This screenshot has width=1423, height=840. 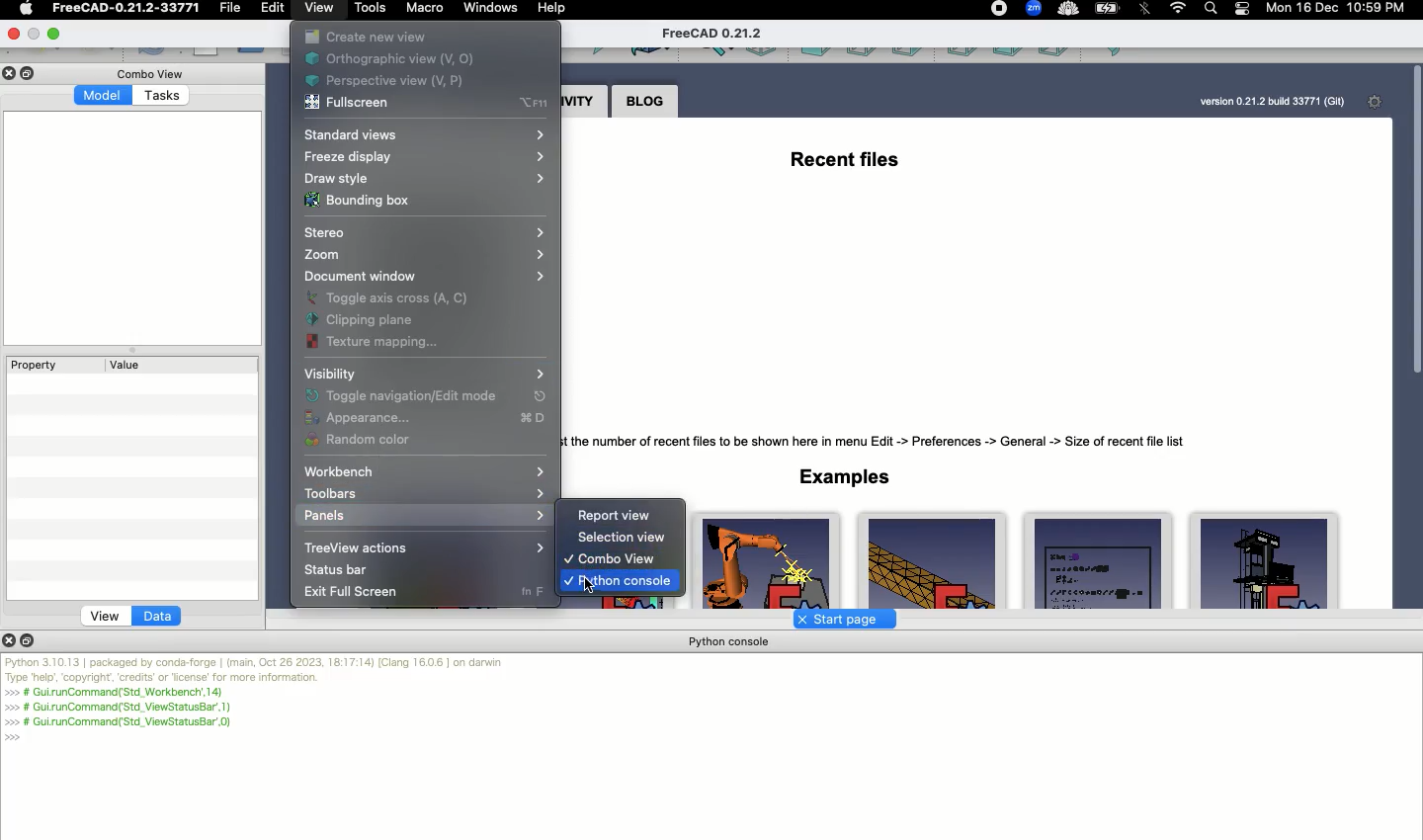 What do you see at coordinates (615, 515) in the screenshot?
I see `Report view ` at bounding box center [615, 515].